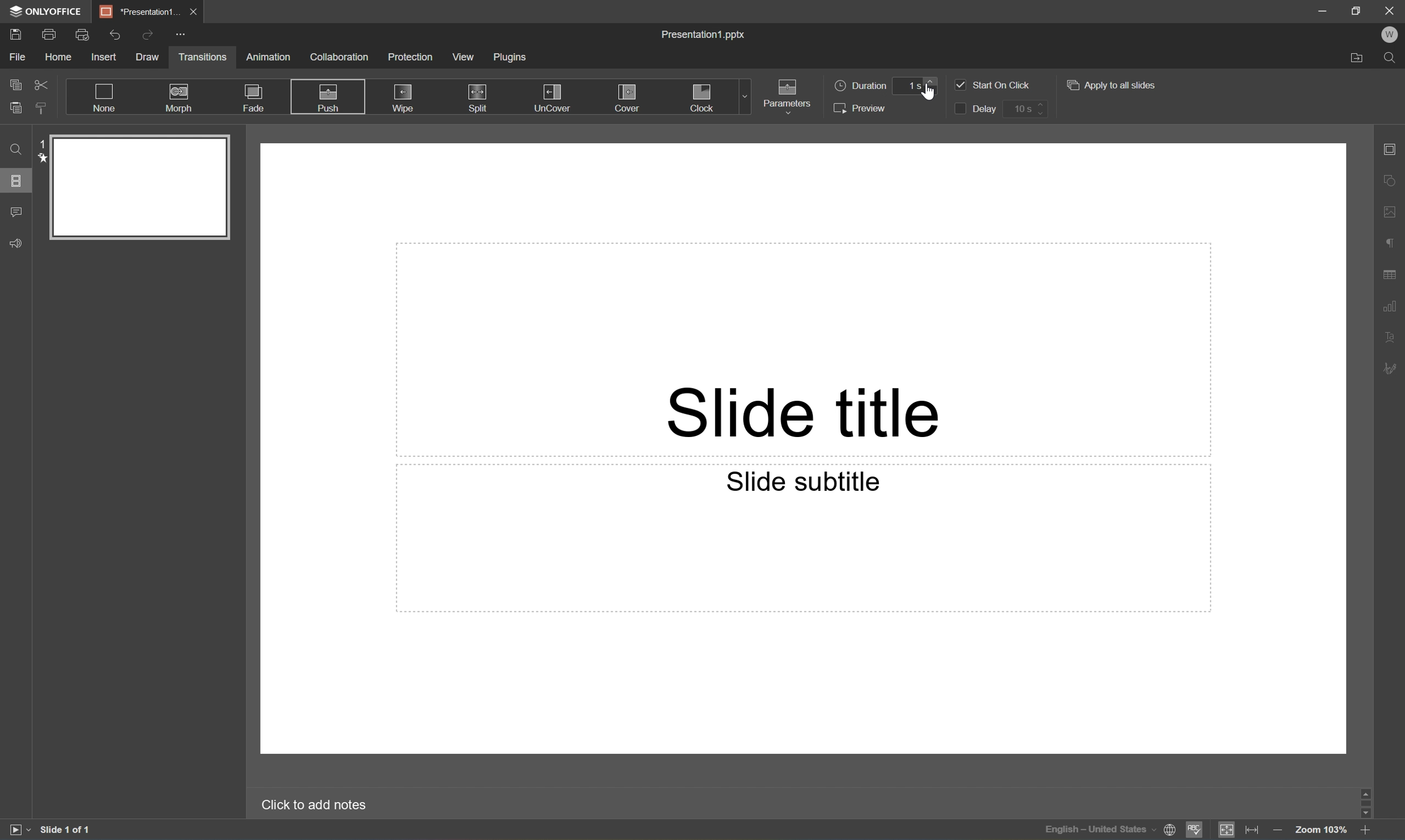 The image size is (1405, 840). What do you see at coordinates (106, 55) in the screenshot?
I see `Insert` at bounding box center [106, 55].